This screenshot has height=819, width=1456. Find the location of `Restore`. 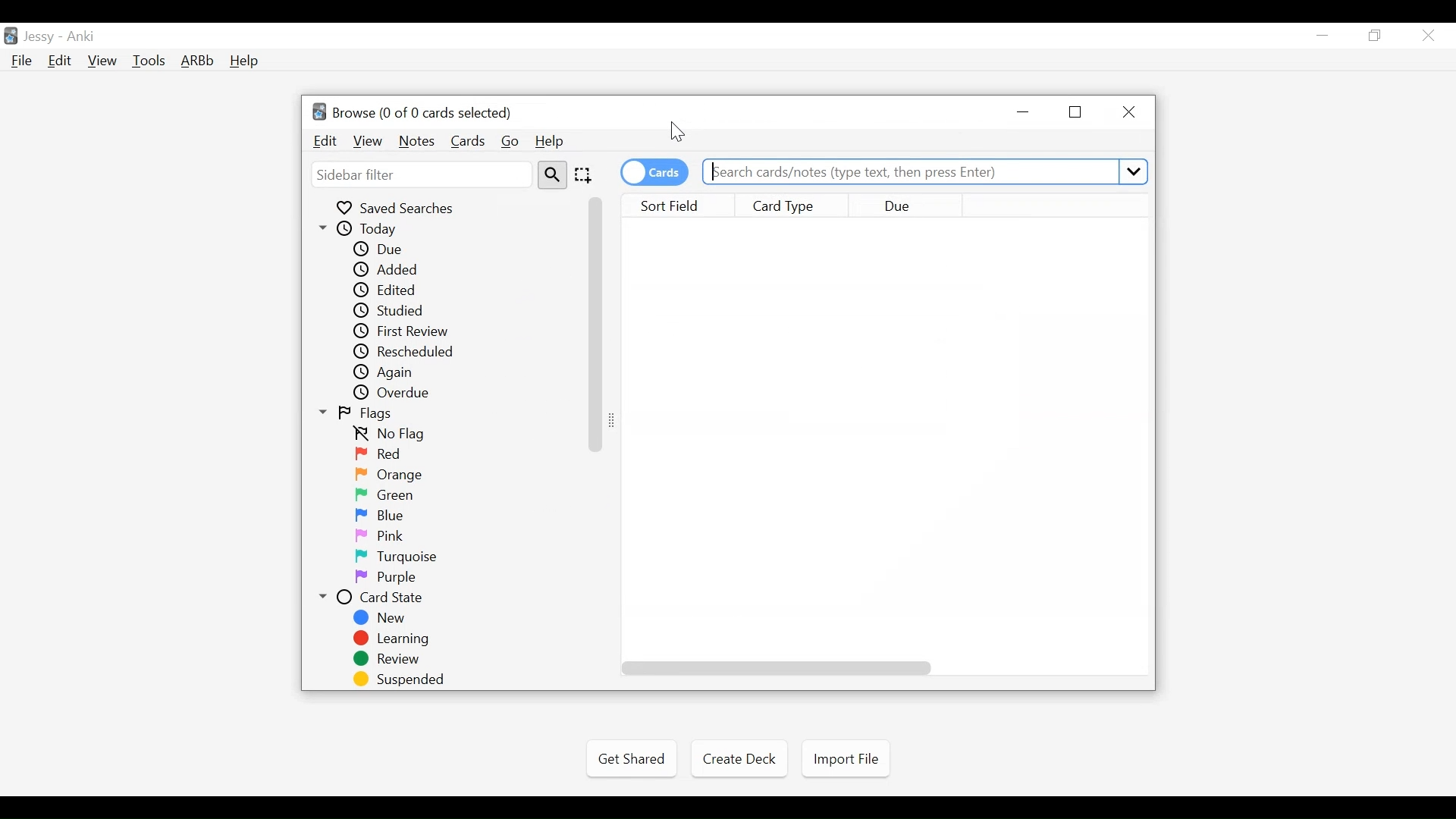

Restore is located at coordinates (1075, 114).